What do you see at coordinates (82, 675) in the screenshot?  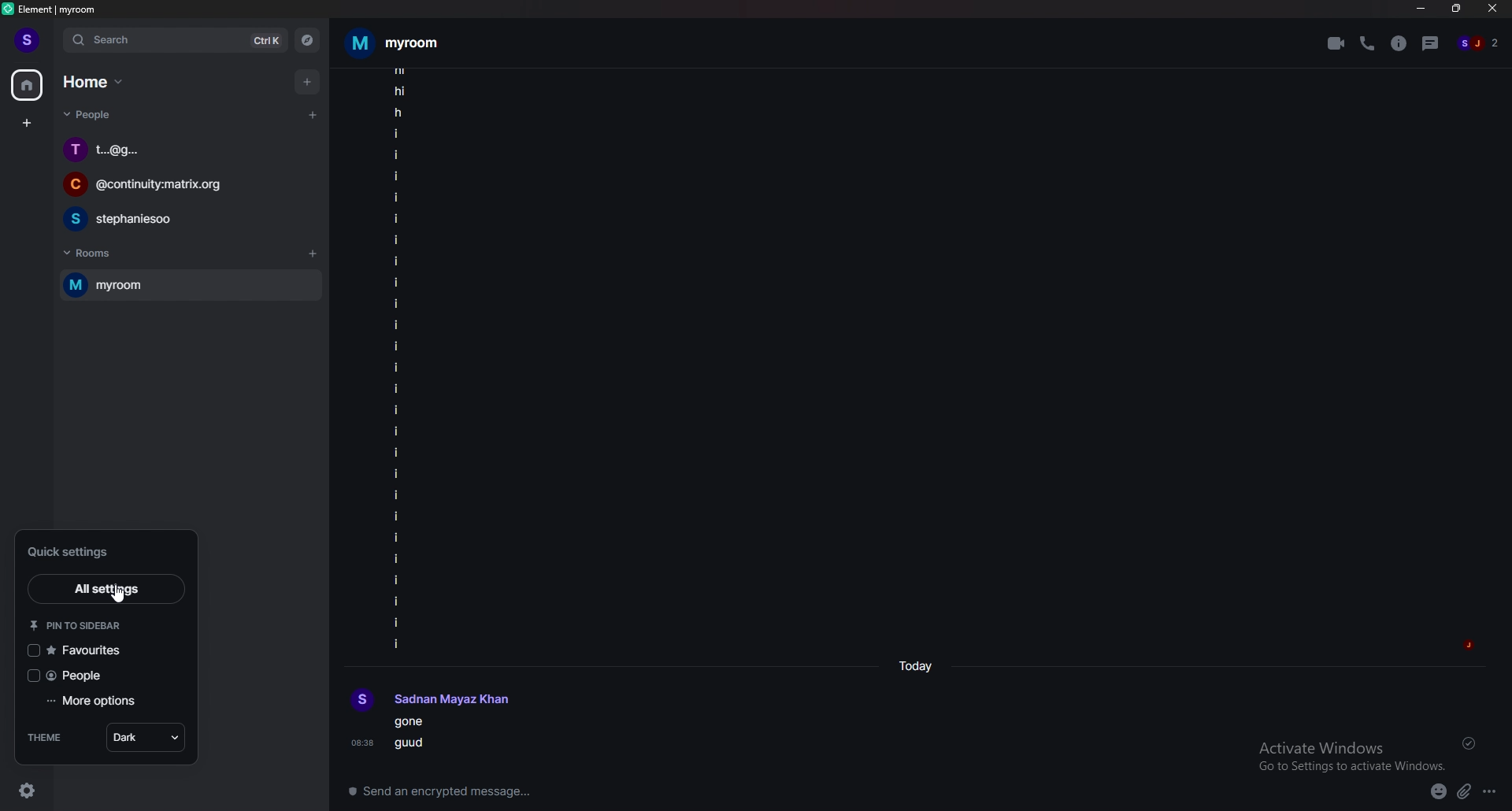 I see `people` at bounding box center [82, 675].